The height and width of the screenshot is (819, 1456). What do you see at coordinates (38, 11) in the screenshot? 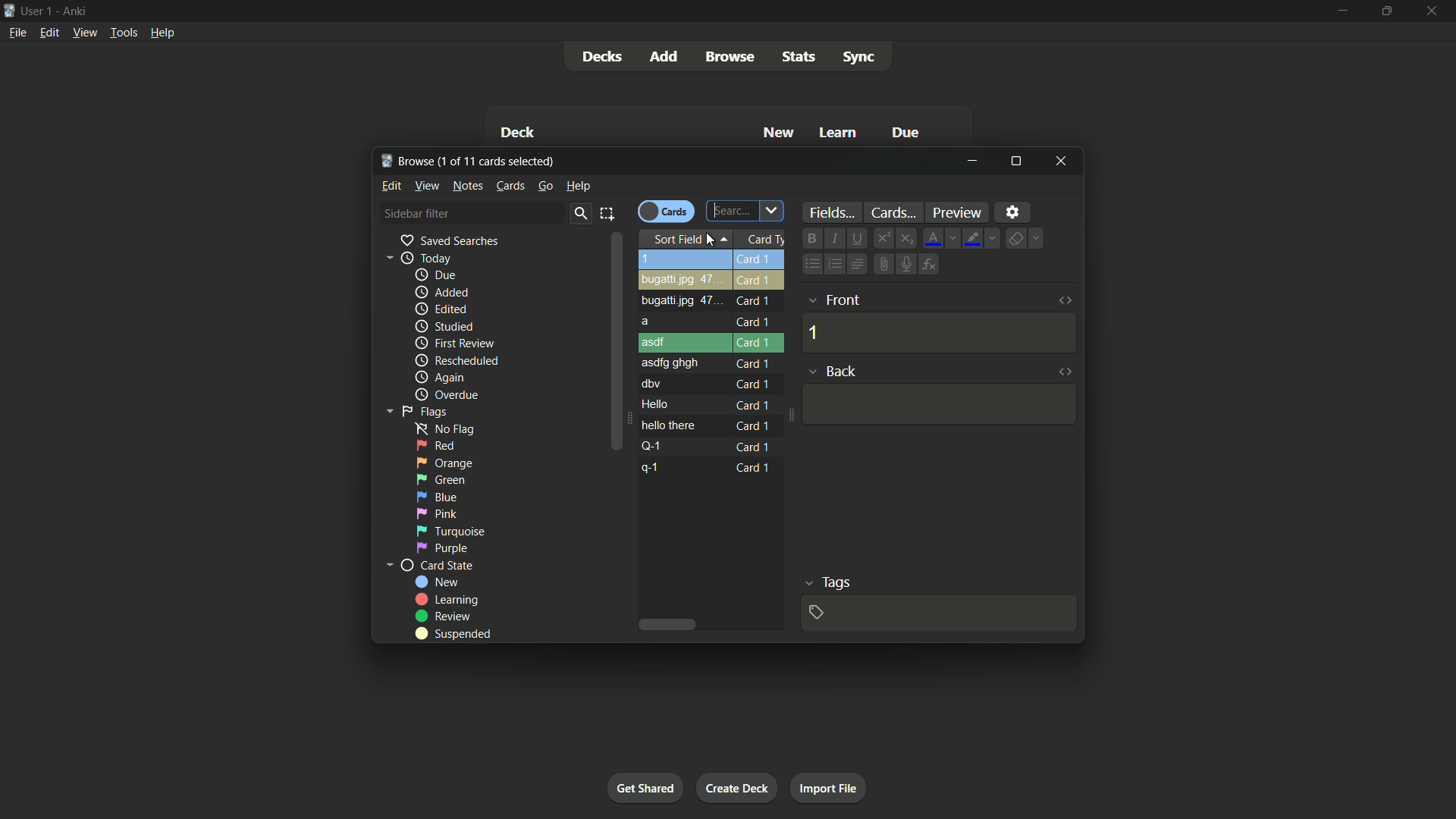
I see `user 1` at bounding box center [38, 11].